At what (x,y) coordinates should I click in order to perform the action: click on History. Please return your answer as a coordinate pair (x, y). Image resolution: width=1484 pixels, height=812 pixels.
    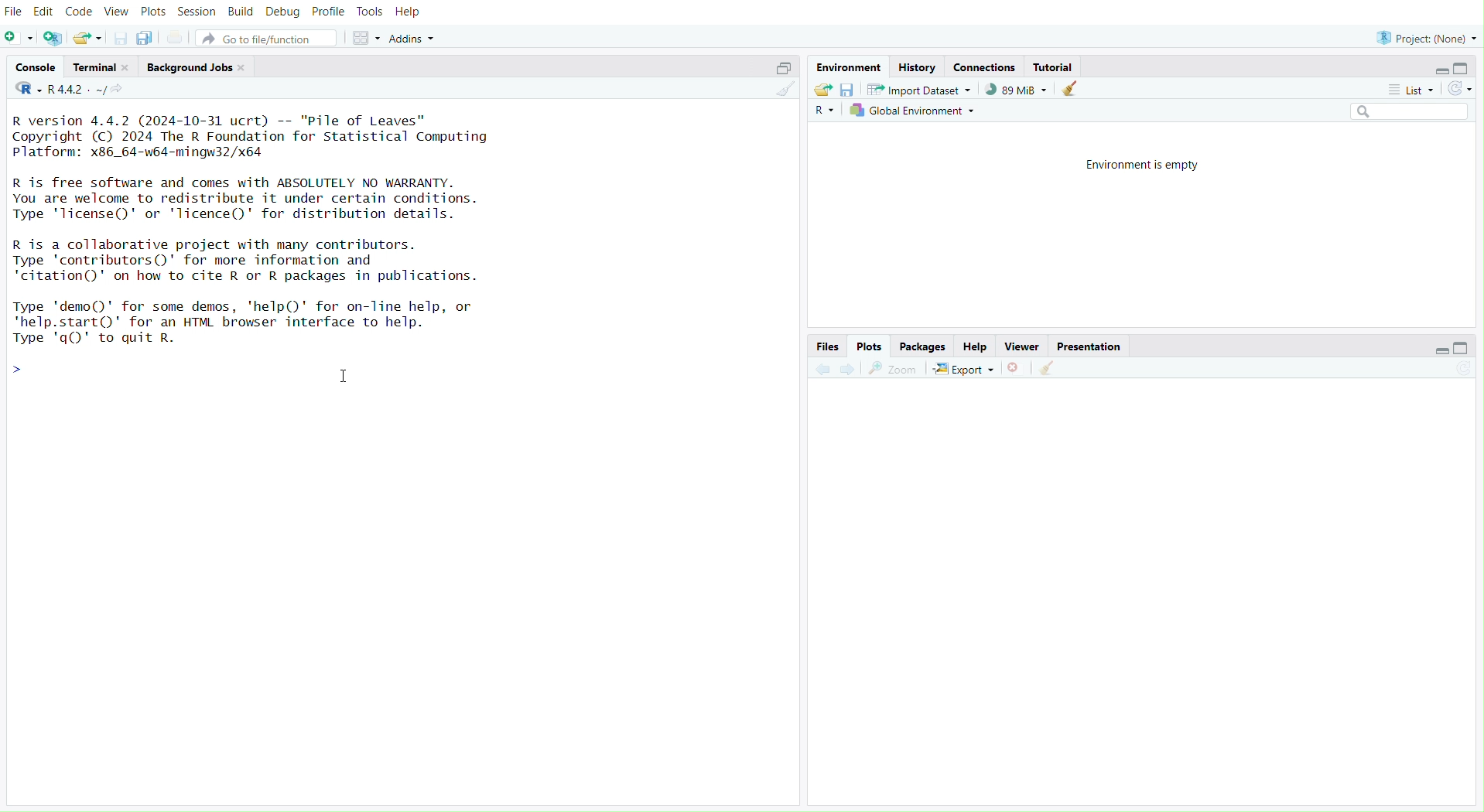
    Looking at the image, I should click on (922, 65).